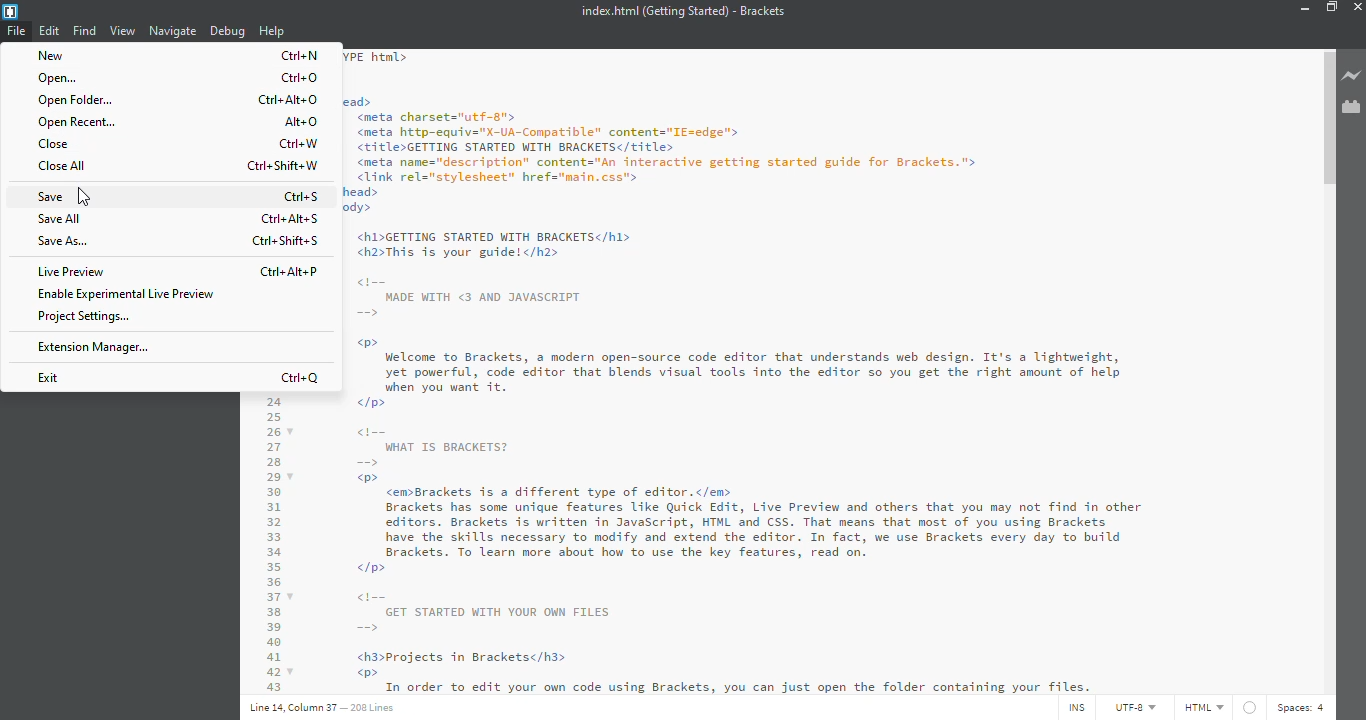  Describe the element at coordinates (55, 56) in the screenshot. I see `new` at that location.